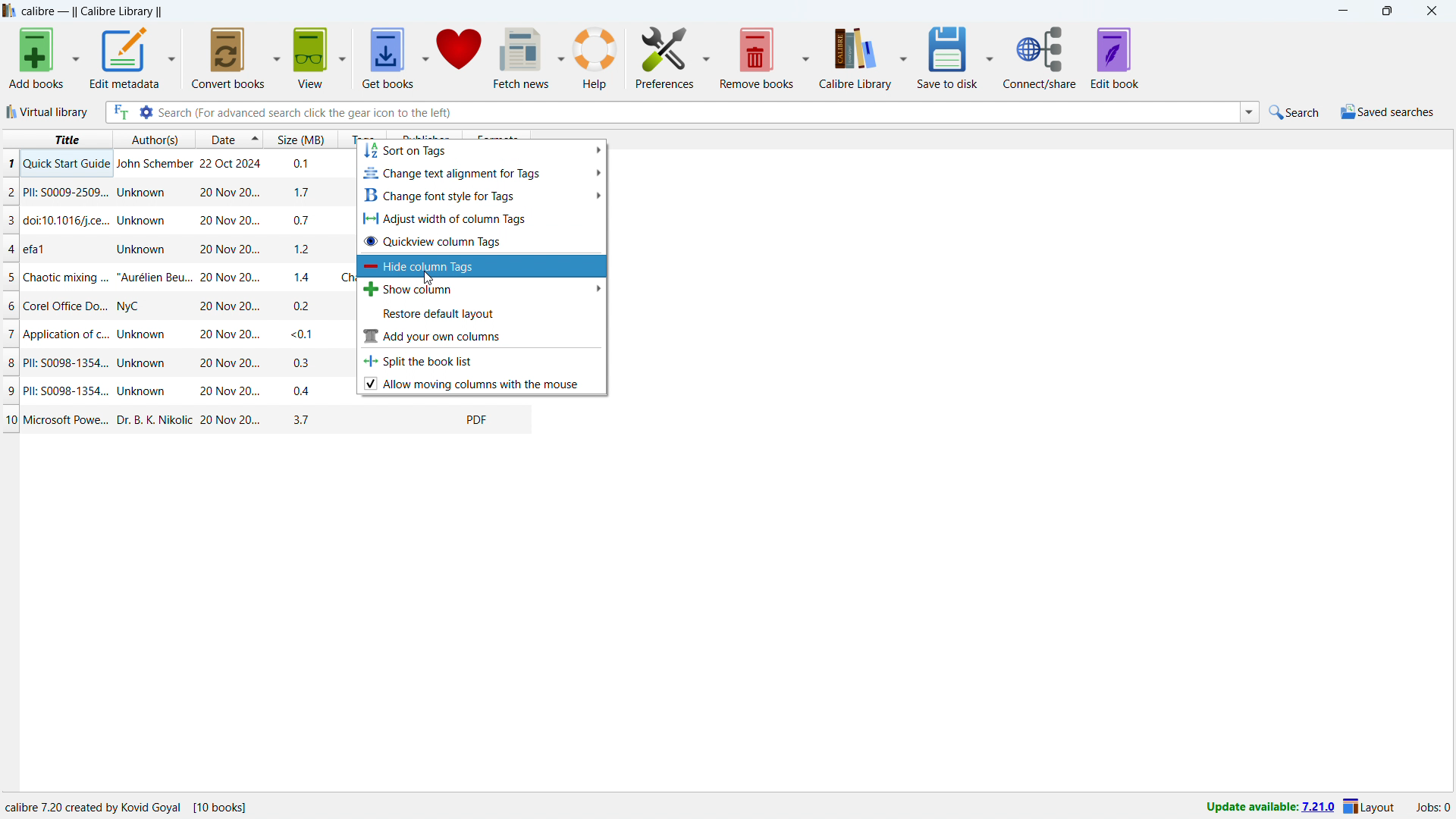 Image resolution: width=1456 pixels, height=819 pixels. I want to click on hide column tags, so click(482, 266).